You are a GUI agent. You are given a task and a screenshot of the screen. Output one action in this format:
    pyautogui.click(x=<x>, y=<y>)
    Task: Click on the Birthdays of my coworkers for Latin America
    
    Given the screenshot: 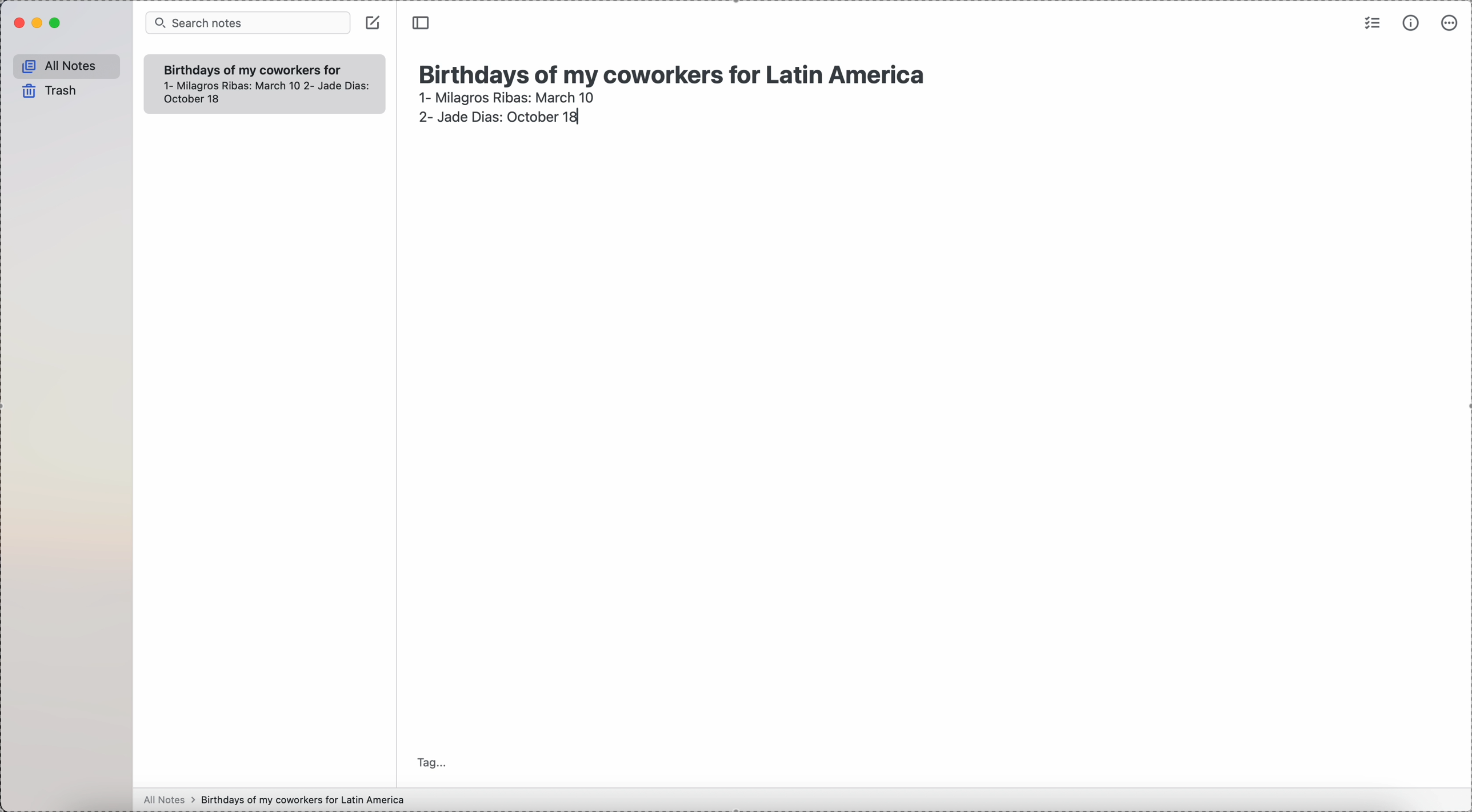 What is the action you would take?
    pyautogui.click(x=251, y=69)
    